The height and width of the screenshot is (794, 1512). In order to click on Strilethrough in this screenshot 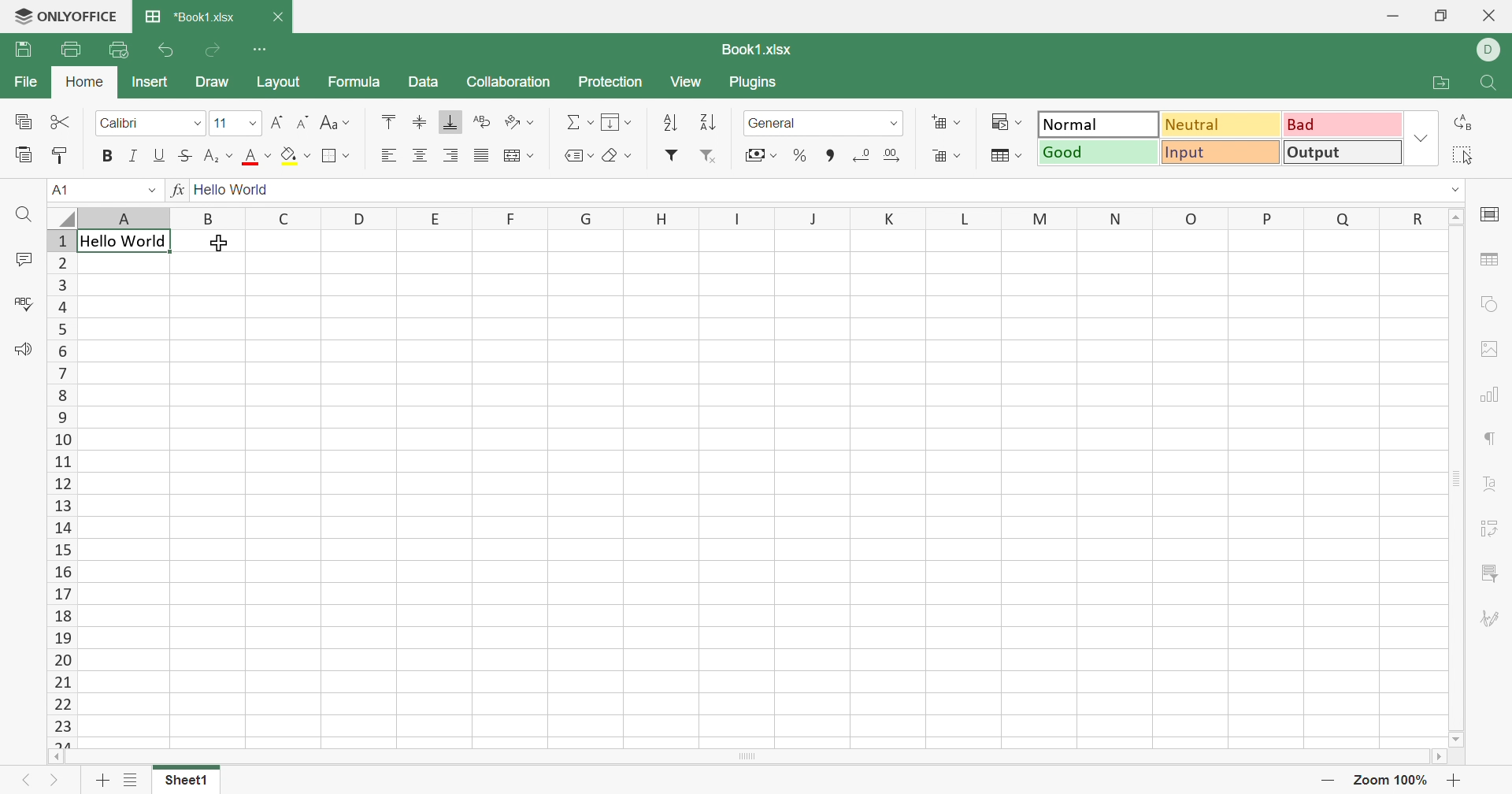, I will do `click(183, 155)`.